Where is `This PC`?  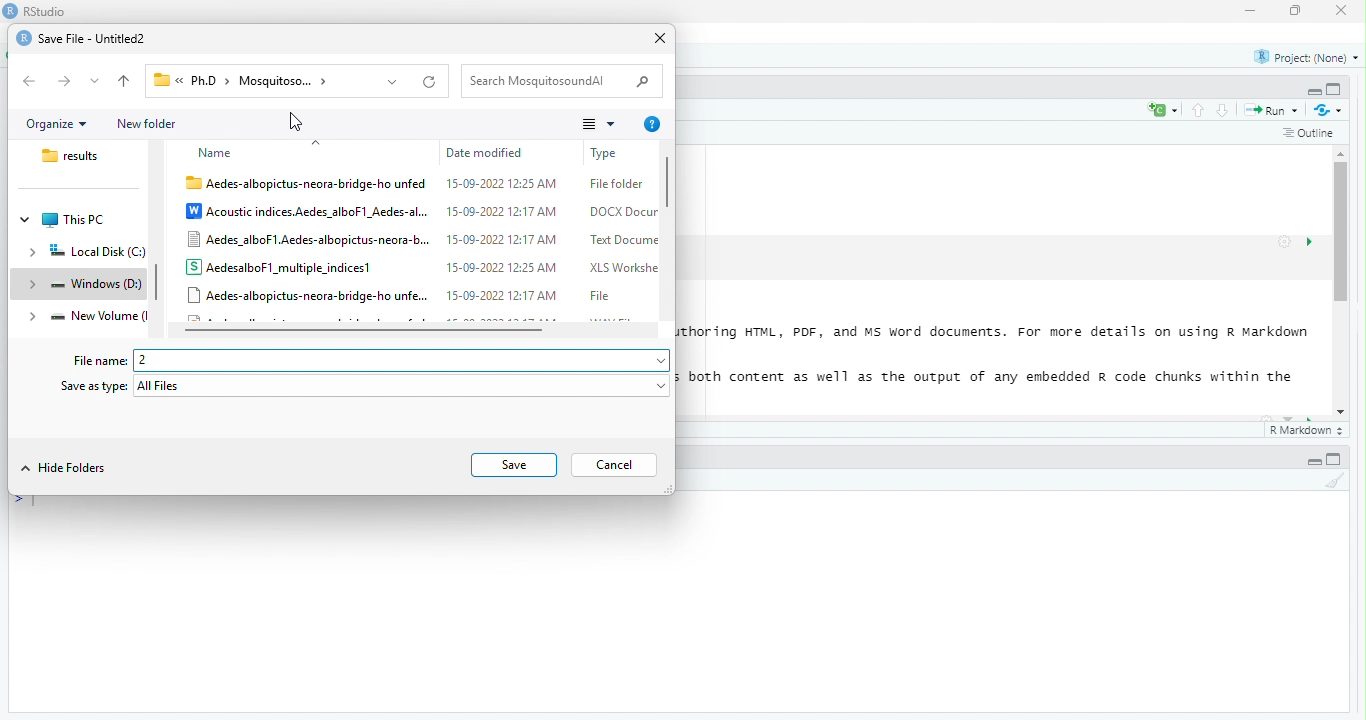 This PC is located at coordinates (73, 221).